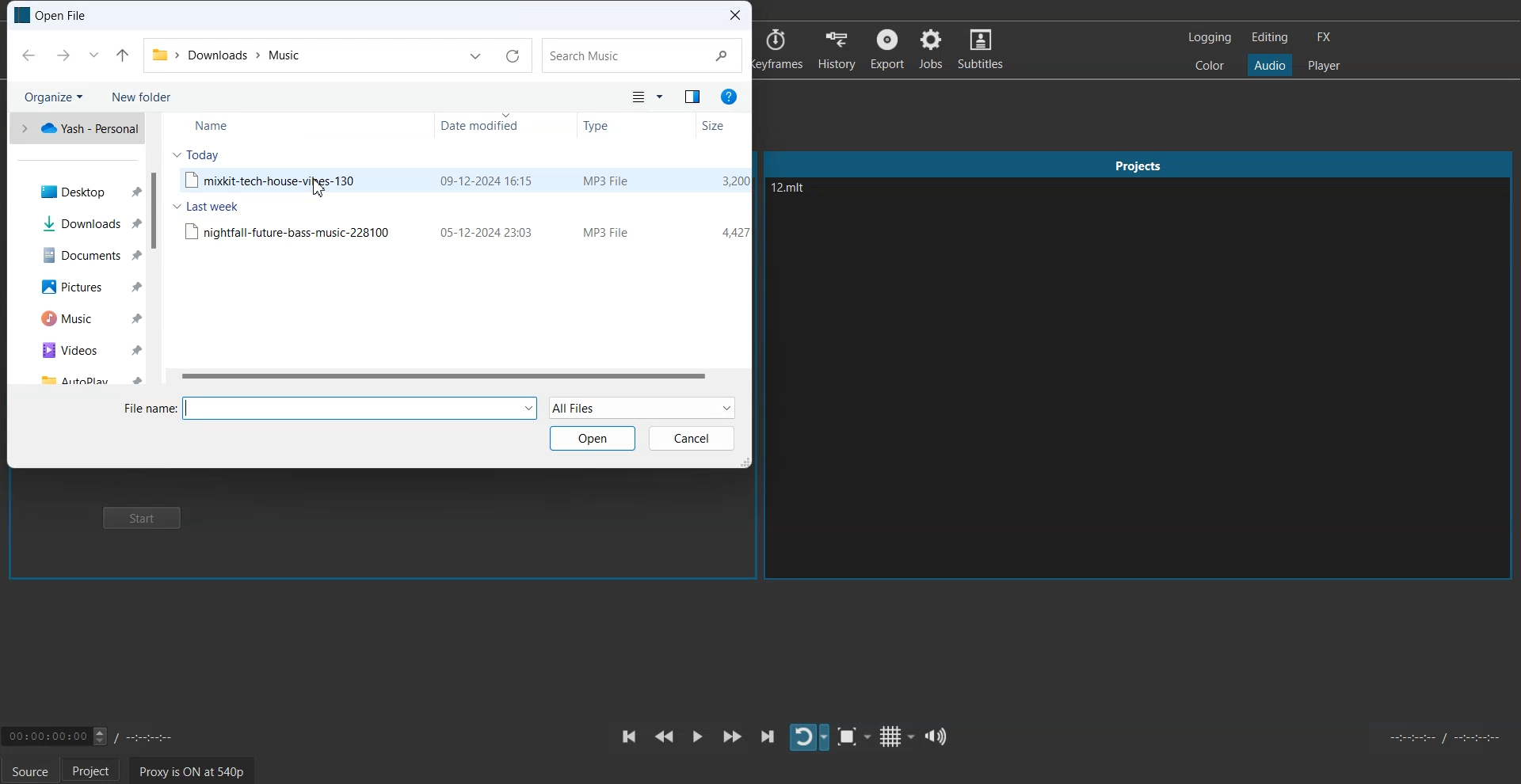 This screenshot has width=1521, height=784. What do you see at coordinates (932, 49) in the screenshot?
I see `Jobs` at bounding box center [932, 49].